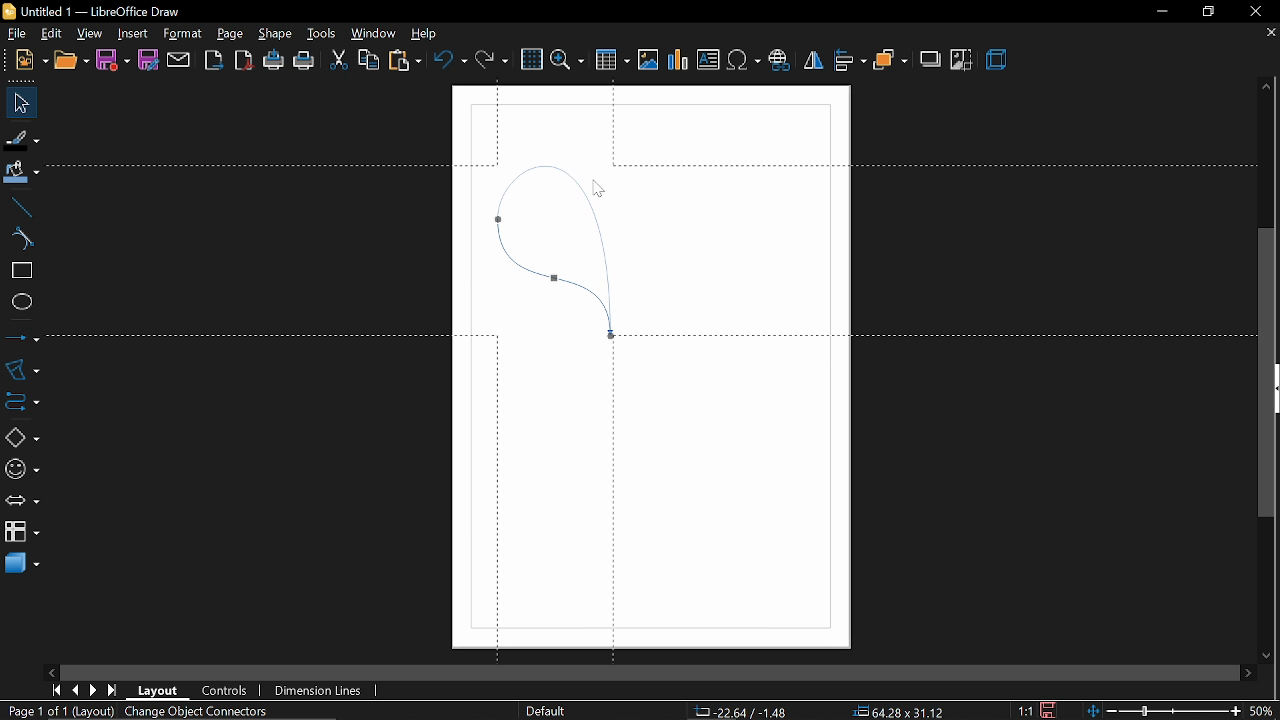 The image size is (1280, 720). What do you see at coordinates (1267, 374) in the screenshot?
I see `Vertical scrollbar` at bounding box center [1267, 374].